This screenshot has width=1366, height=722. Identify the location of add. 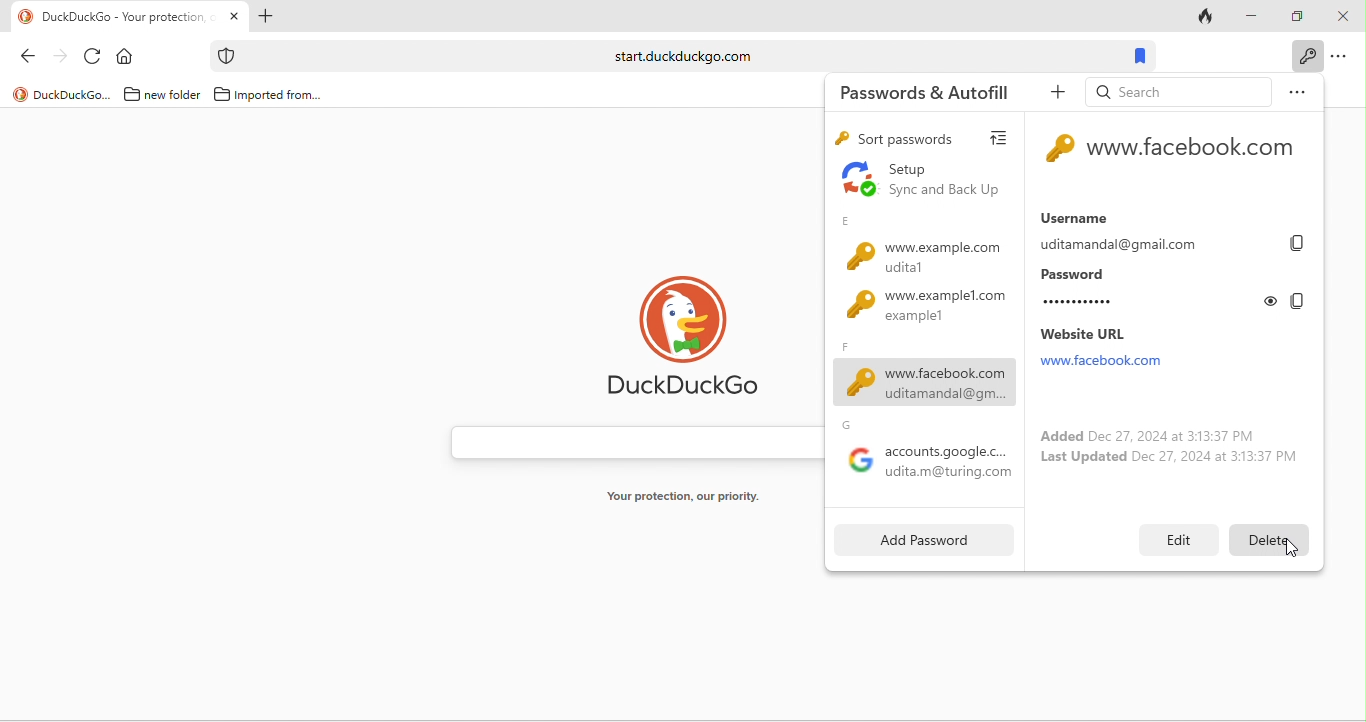
(1052, 96).